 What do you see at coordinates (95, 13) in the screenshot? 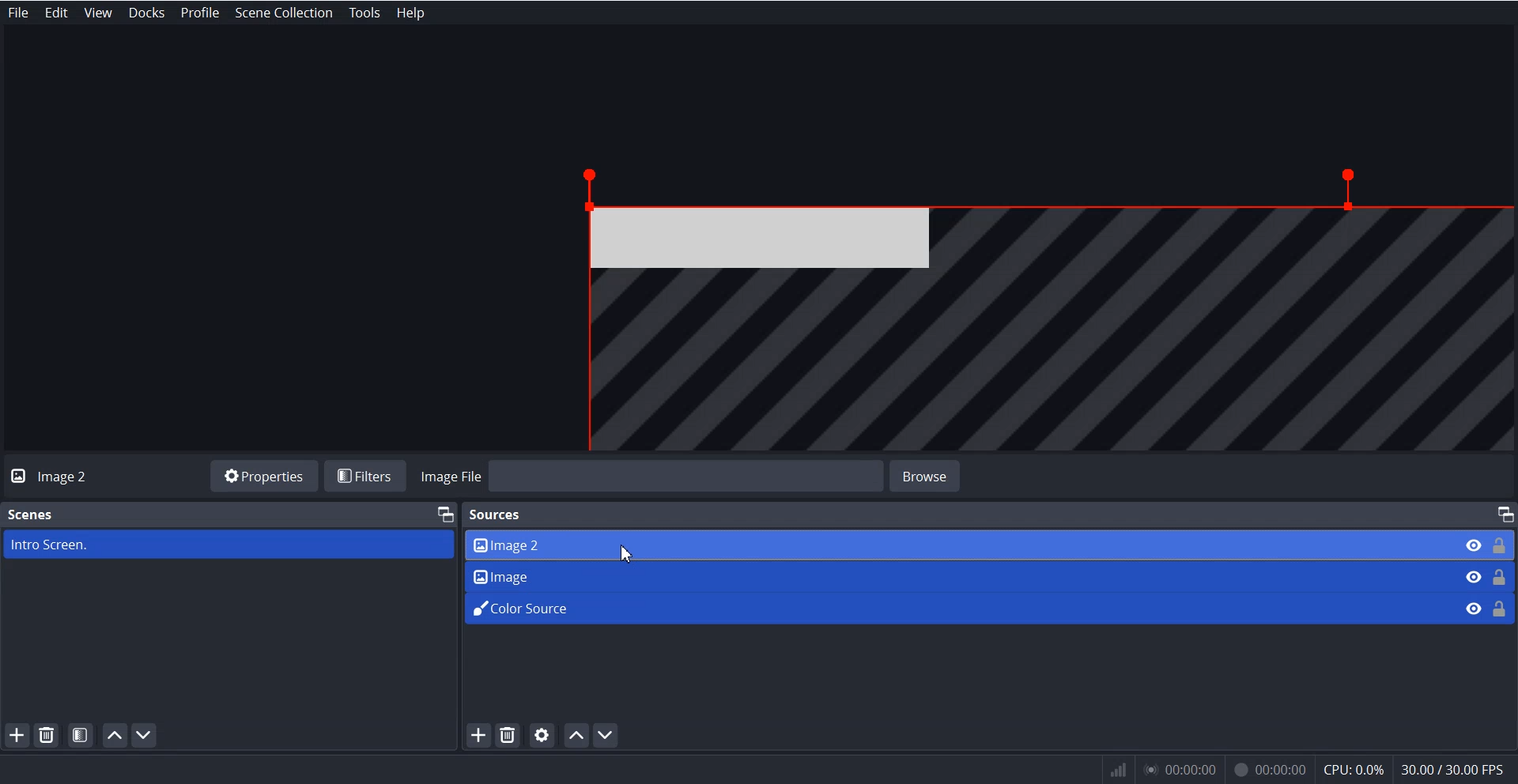
I see `View` at bounding box center [95, 13].